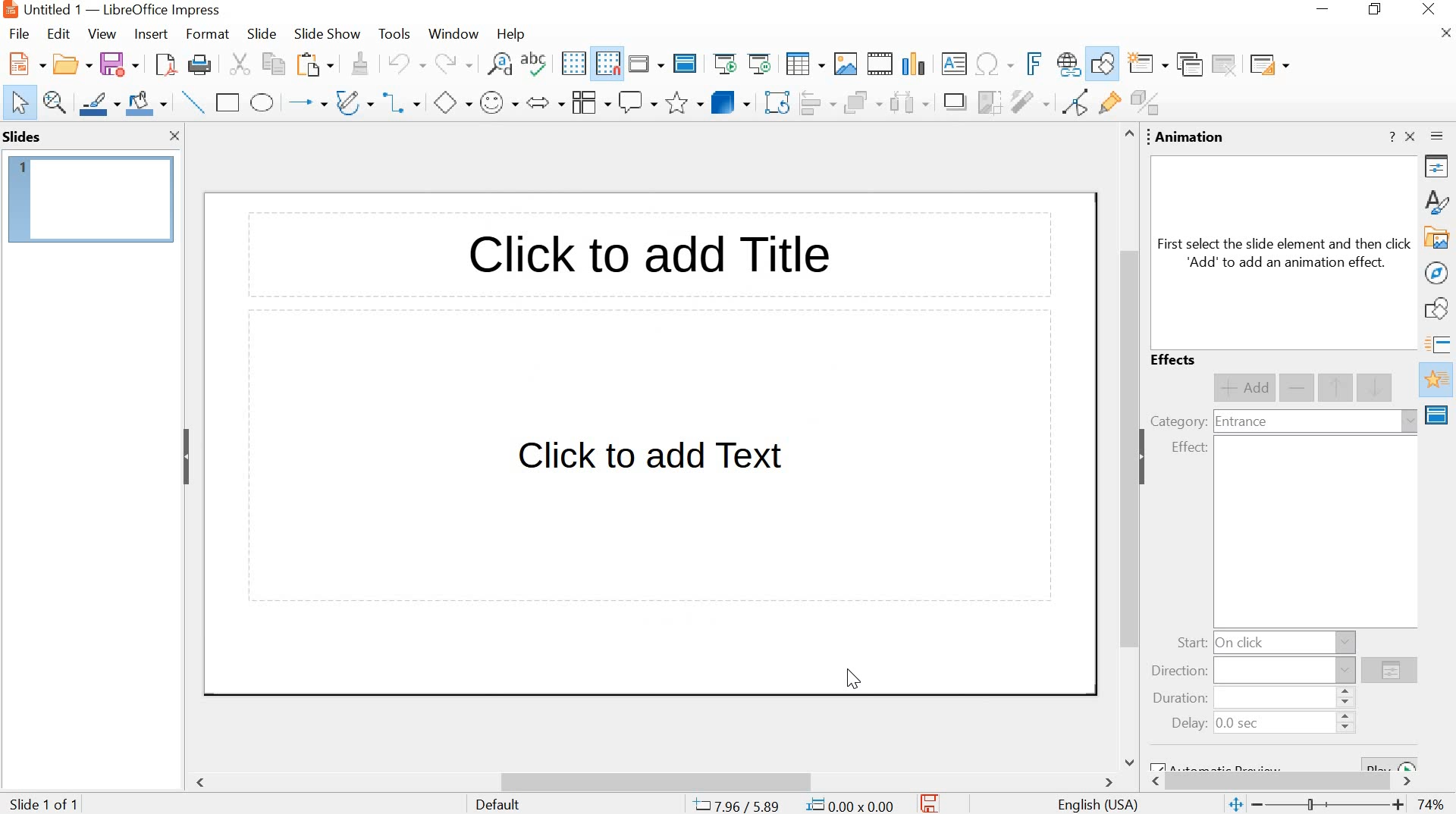  What do you see at coordinates (9, 10) in the screenshot?
I see `app icon` at bounding box center [9, 10].